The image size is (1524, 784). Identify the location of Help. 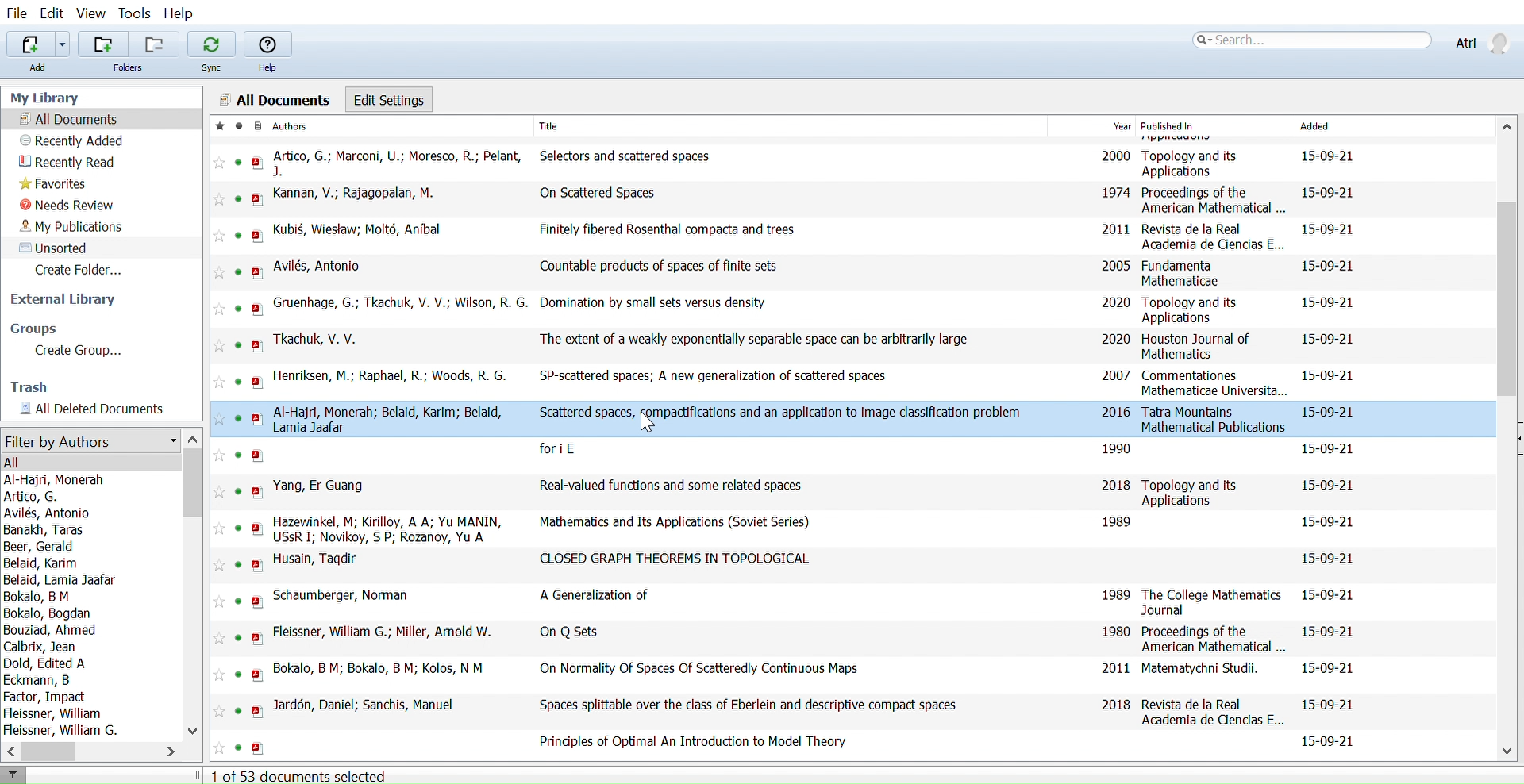
(183, 15).